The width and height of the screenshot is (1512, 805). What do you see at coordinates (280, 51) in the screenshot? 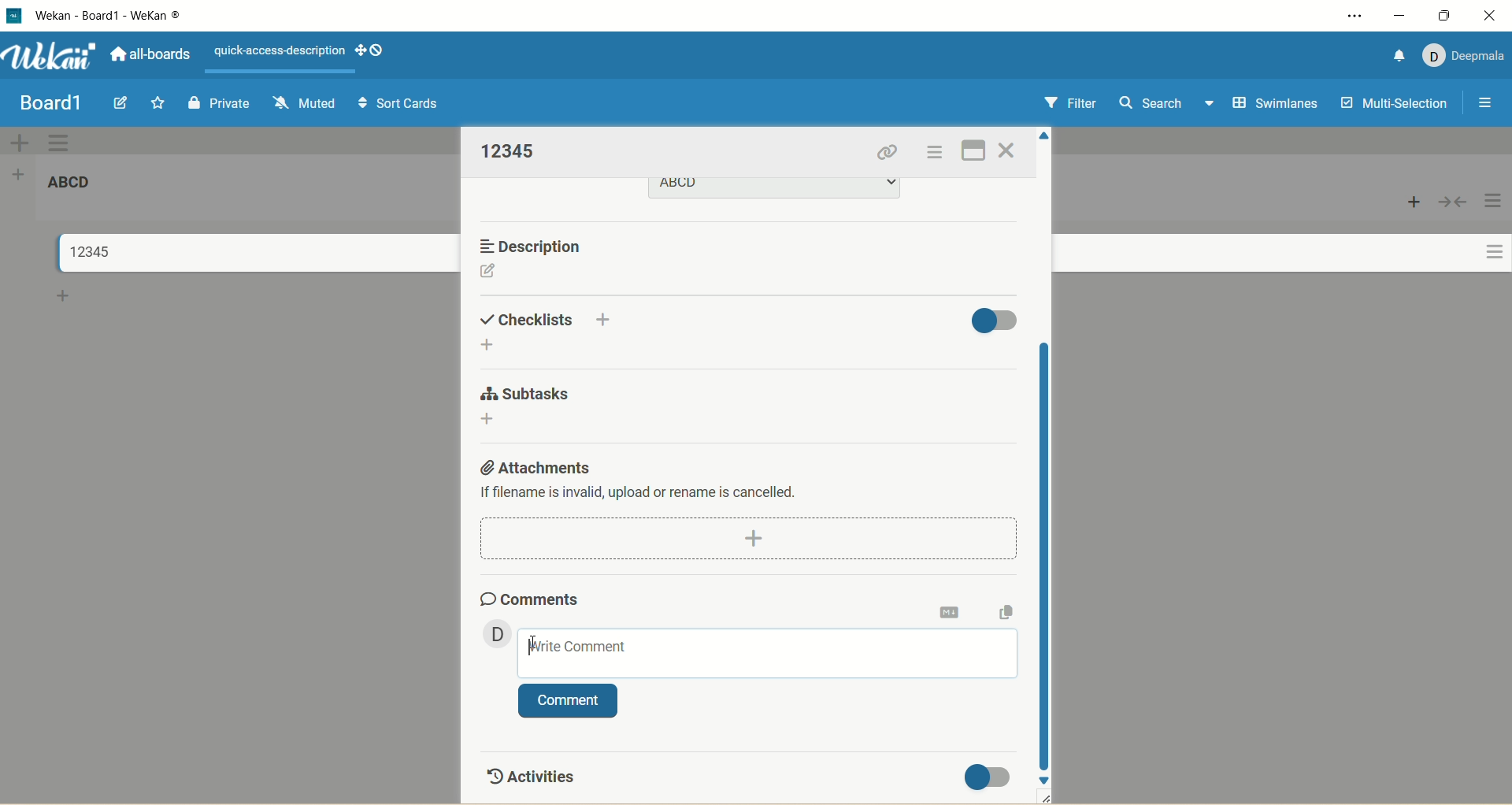
I see `text` at bounding box center [280, 51].